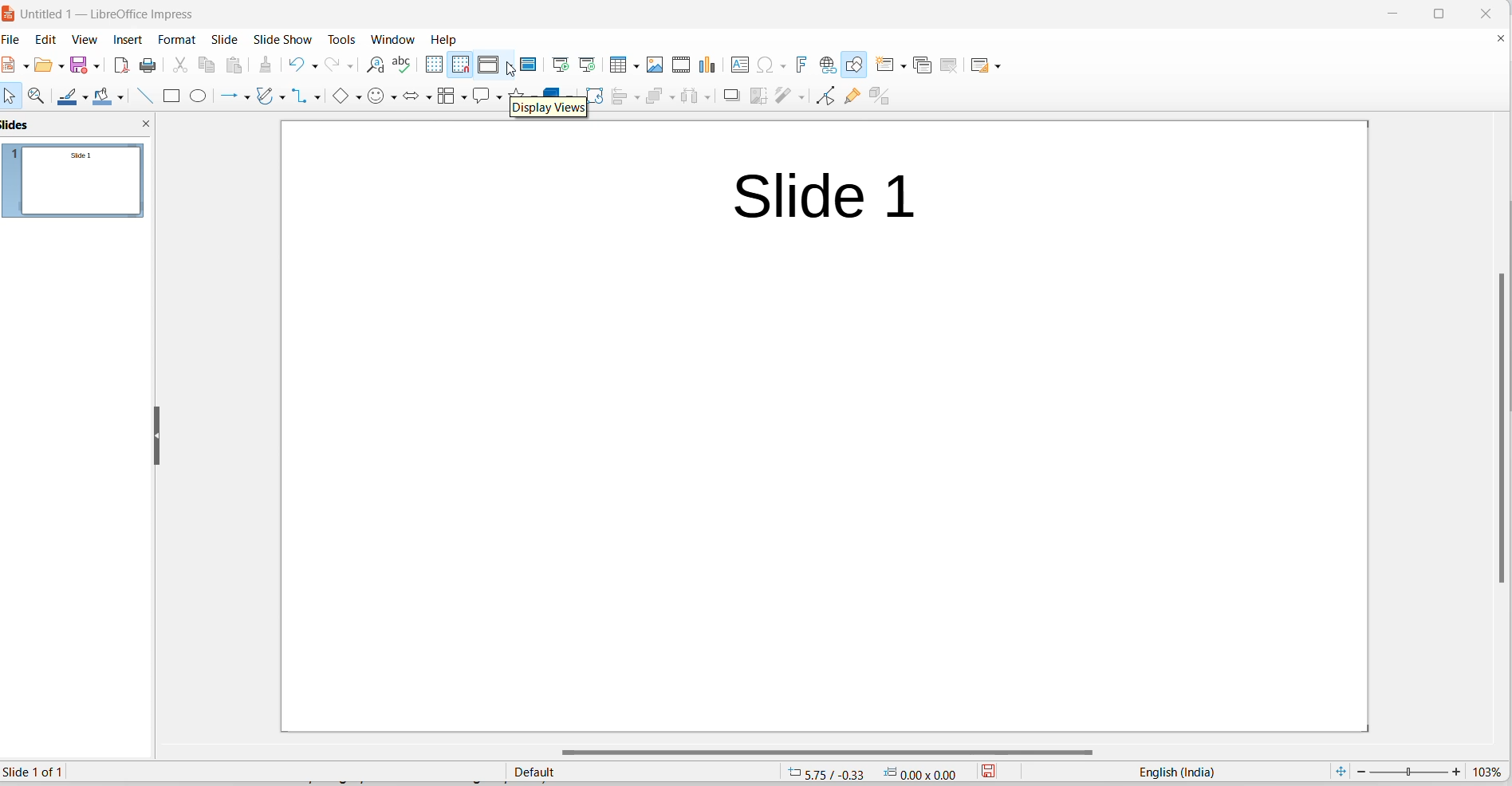  What do you see at coordinates (617, 65) in the screenshot?
I see `insert table` at bounding box center [617, 65].